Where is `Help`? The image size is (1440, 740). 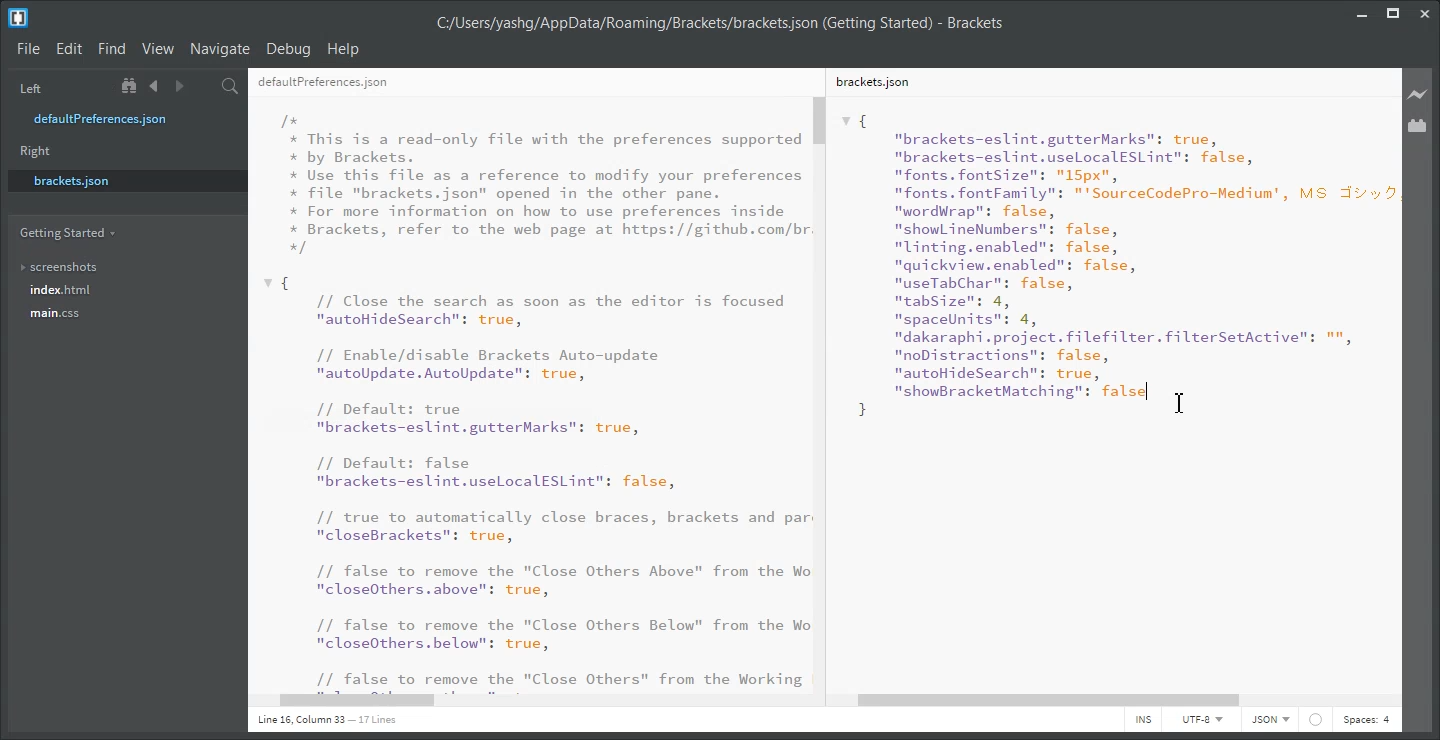
Help is located at coordinates (345, 49).